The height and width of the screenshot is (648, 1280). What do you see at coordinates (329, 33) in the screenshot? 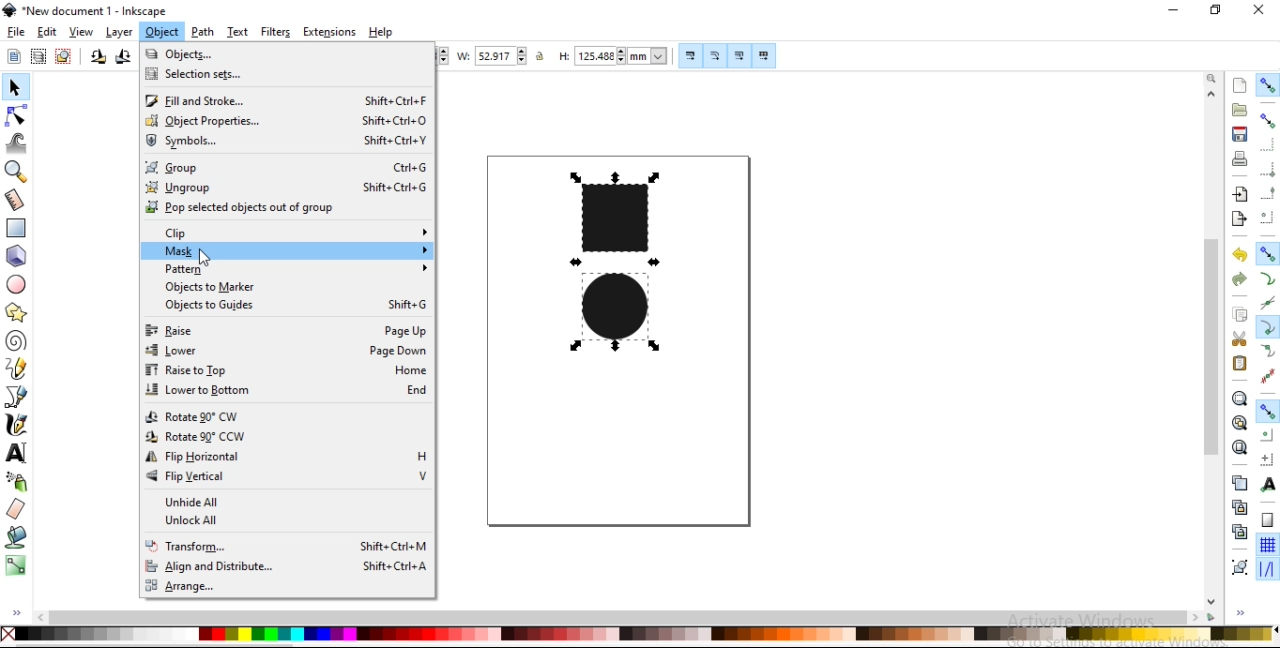
I see `extensions` at bounding box center [329, 33].